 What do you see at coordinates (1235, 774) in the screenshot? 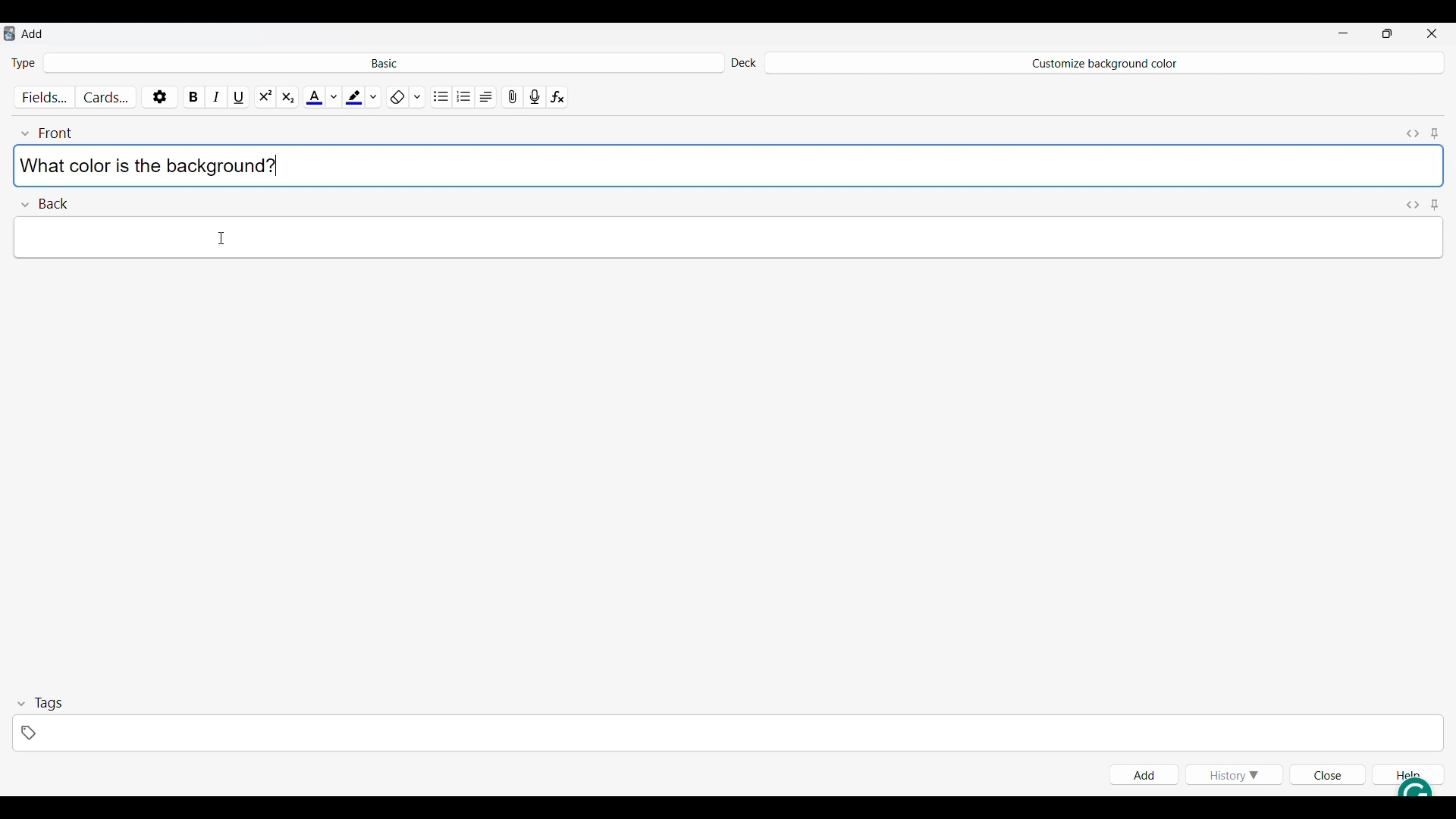
I see `` at bounding box center [1235, 774].